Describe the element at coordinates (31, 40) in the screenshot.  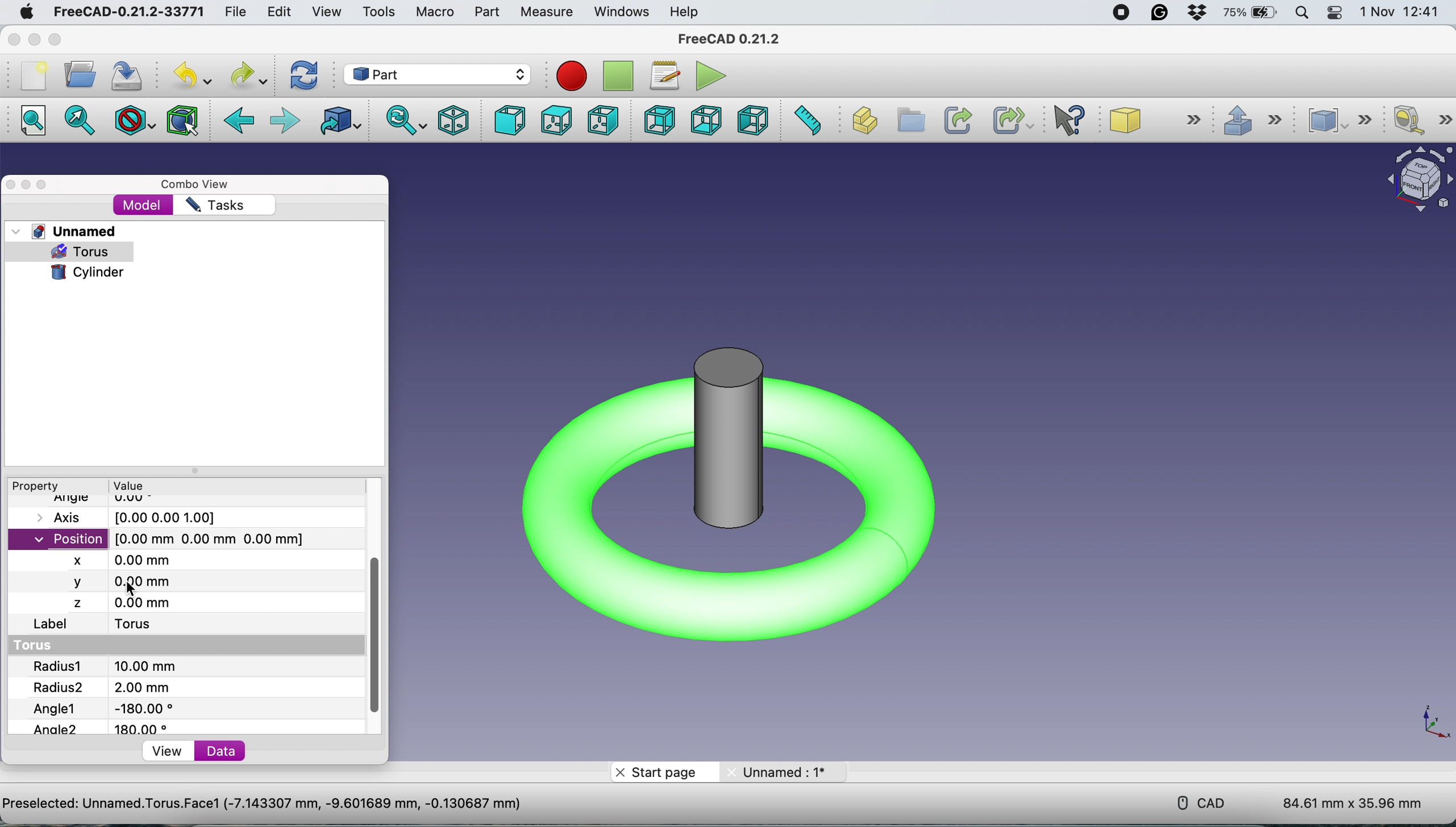
I see `minimise` at that location.